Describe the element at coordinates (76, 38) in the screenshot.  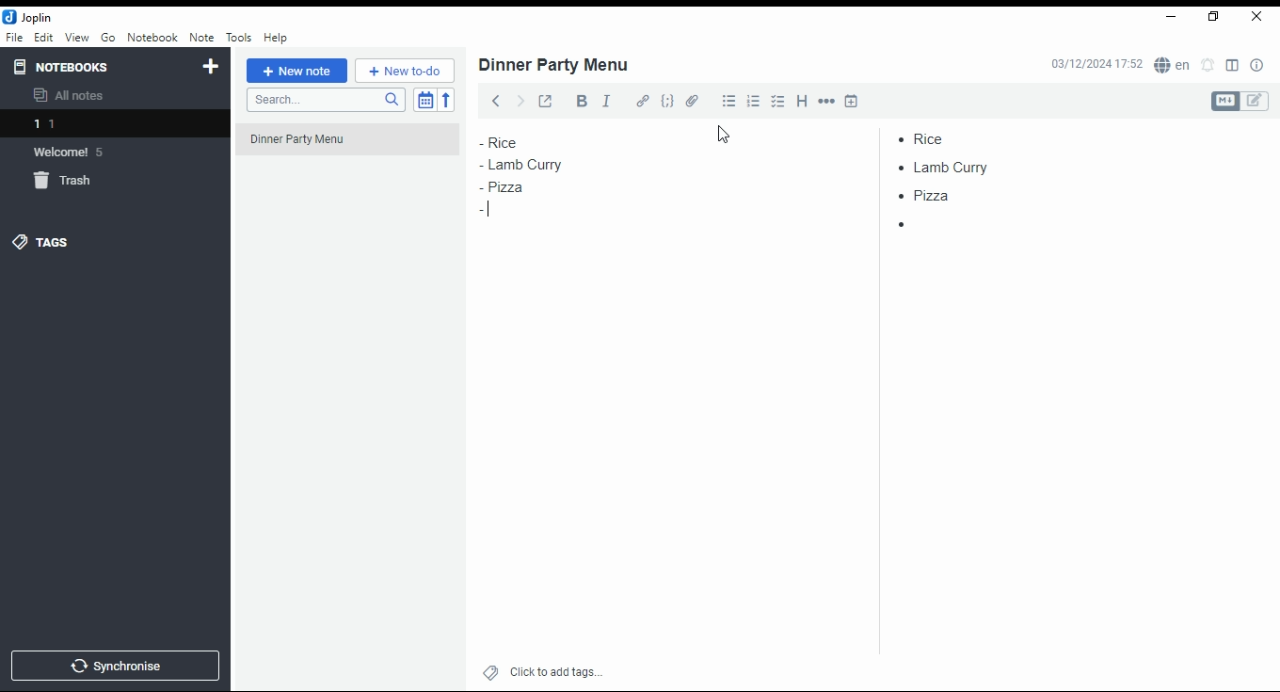
I see `view` at that location.